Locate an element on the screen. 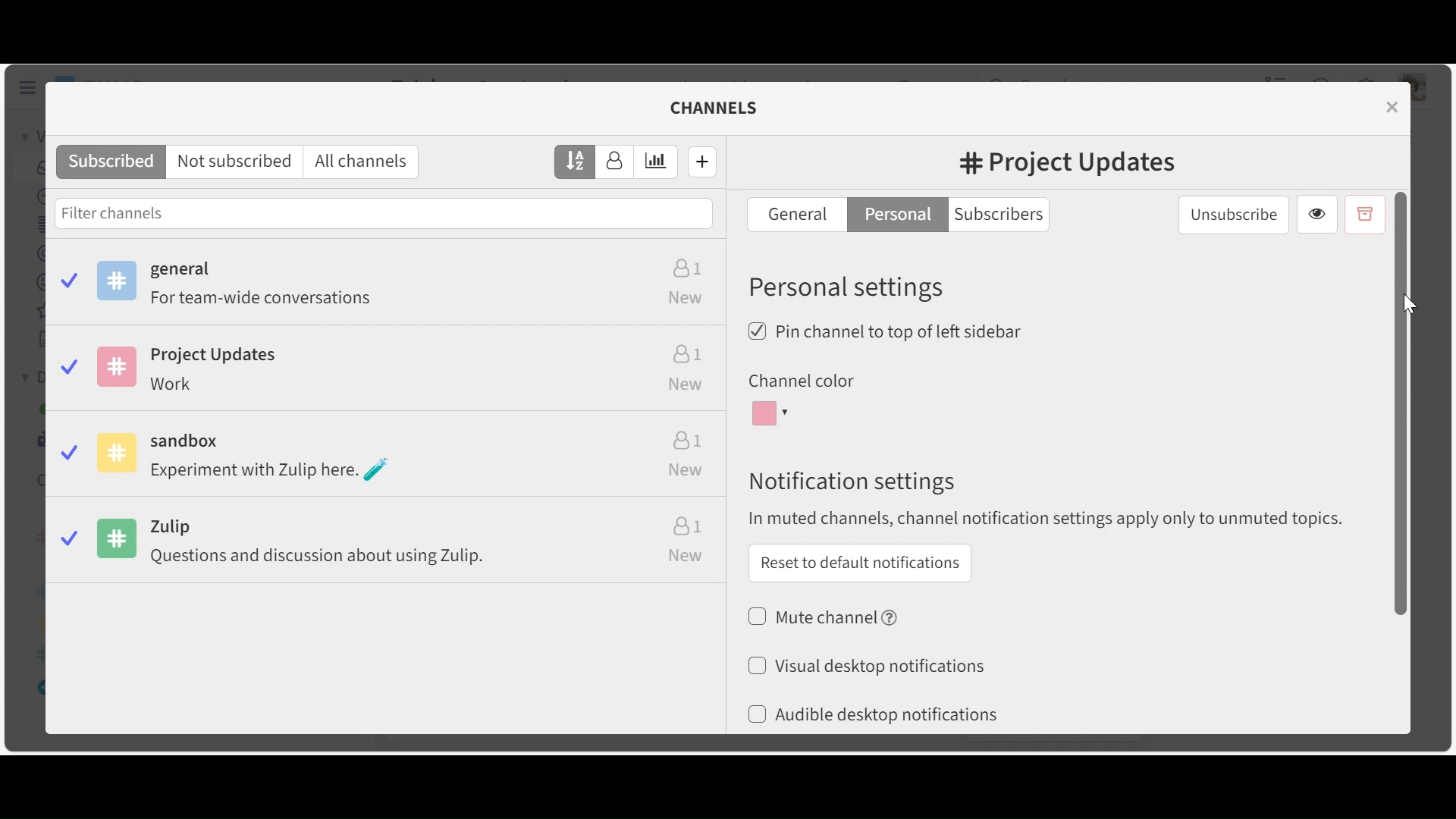 The image size is (1456, 819). Edit channel name and description is located at coordinates (1363, 287).